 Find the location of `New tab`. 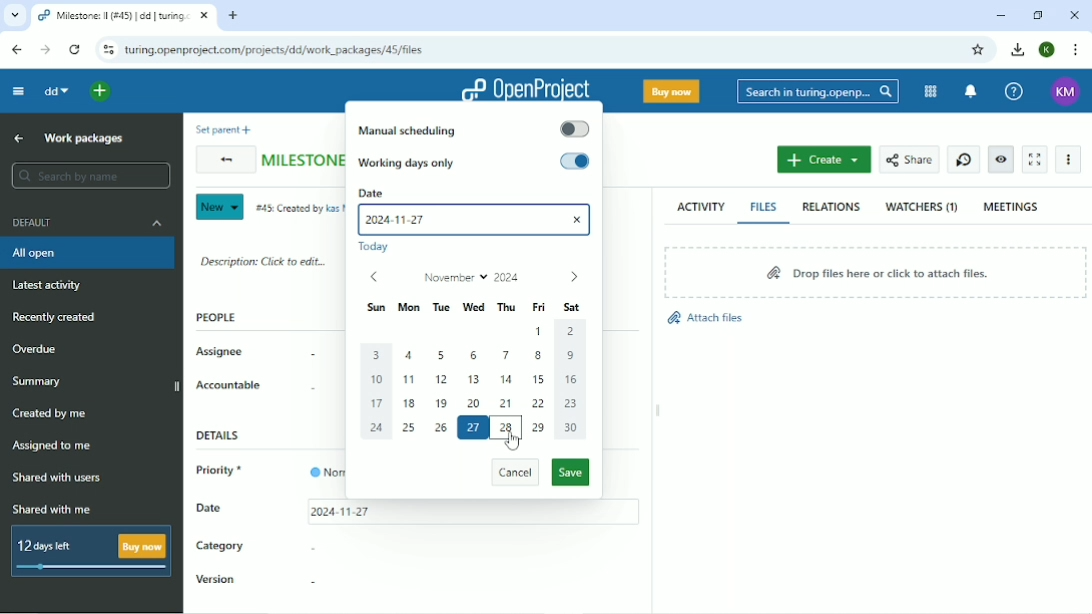

New tab is located at coordinates (233, 16).